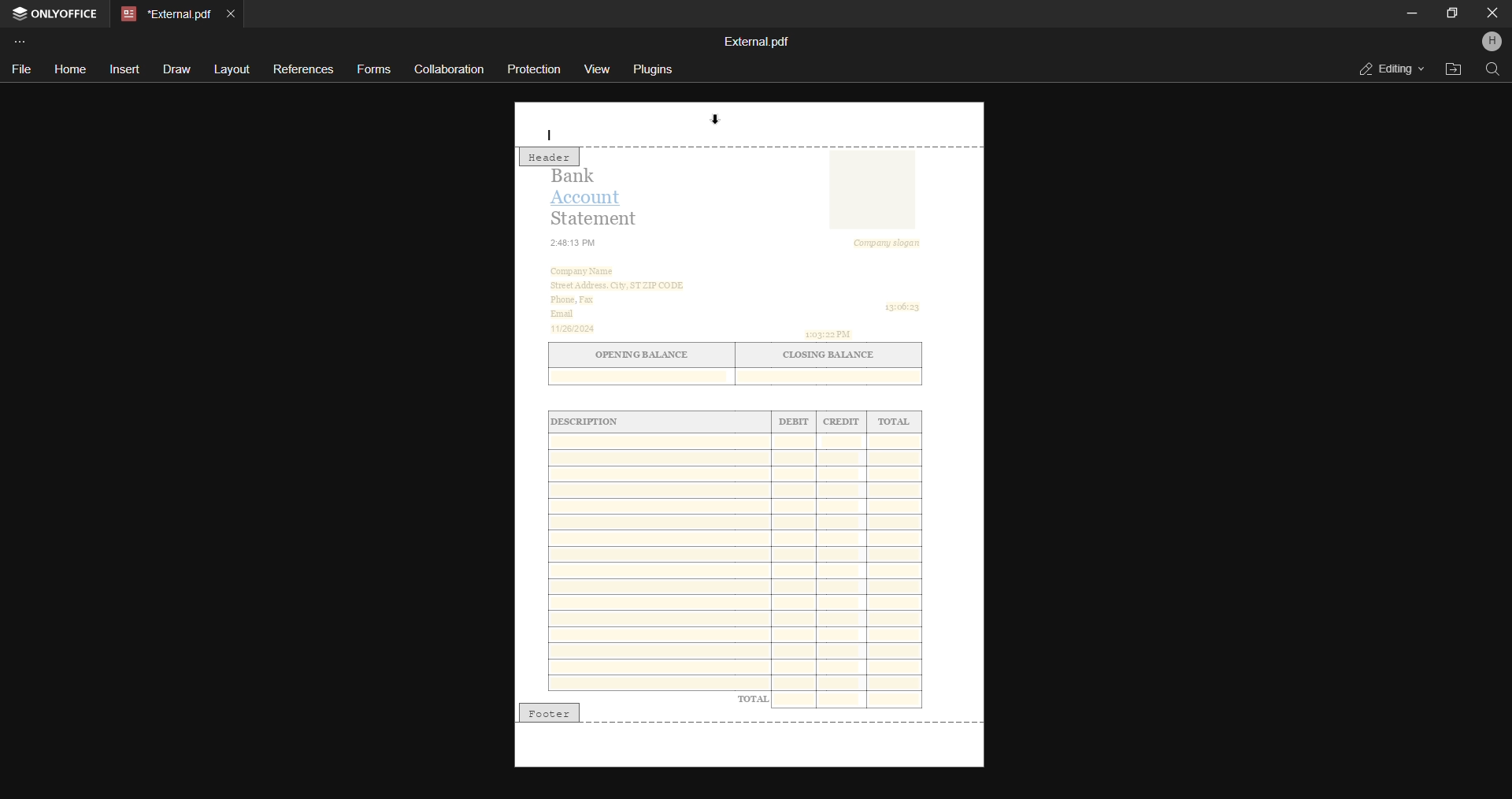 The image size is (1512, 799). Describe the element at coordinates (758, 42) in the screenshot. I see `External.pdf(file name)` at that location.